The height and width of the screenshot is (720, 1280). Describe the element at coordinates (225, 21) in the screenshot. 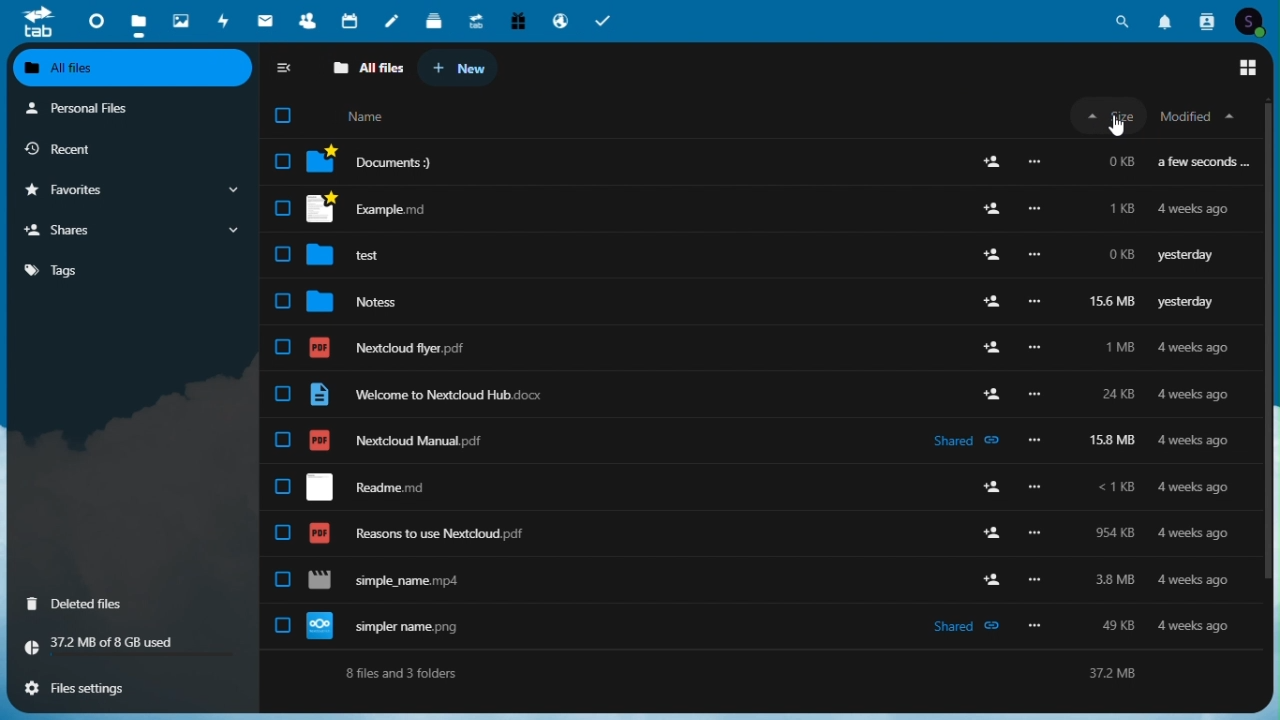

I see `Activity` at that location.